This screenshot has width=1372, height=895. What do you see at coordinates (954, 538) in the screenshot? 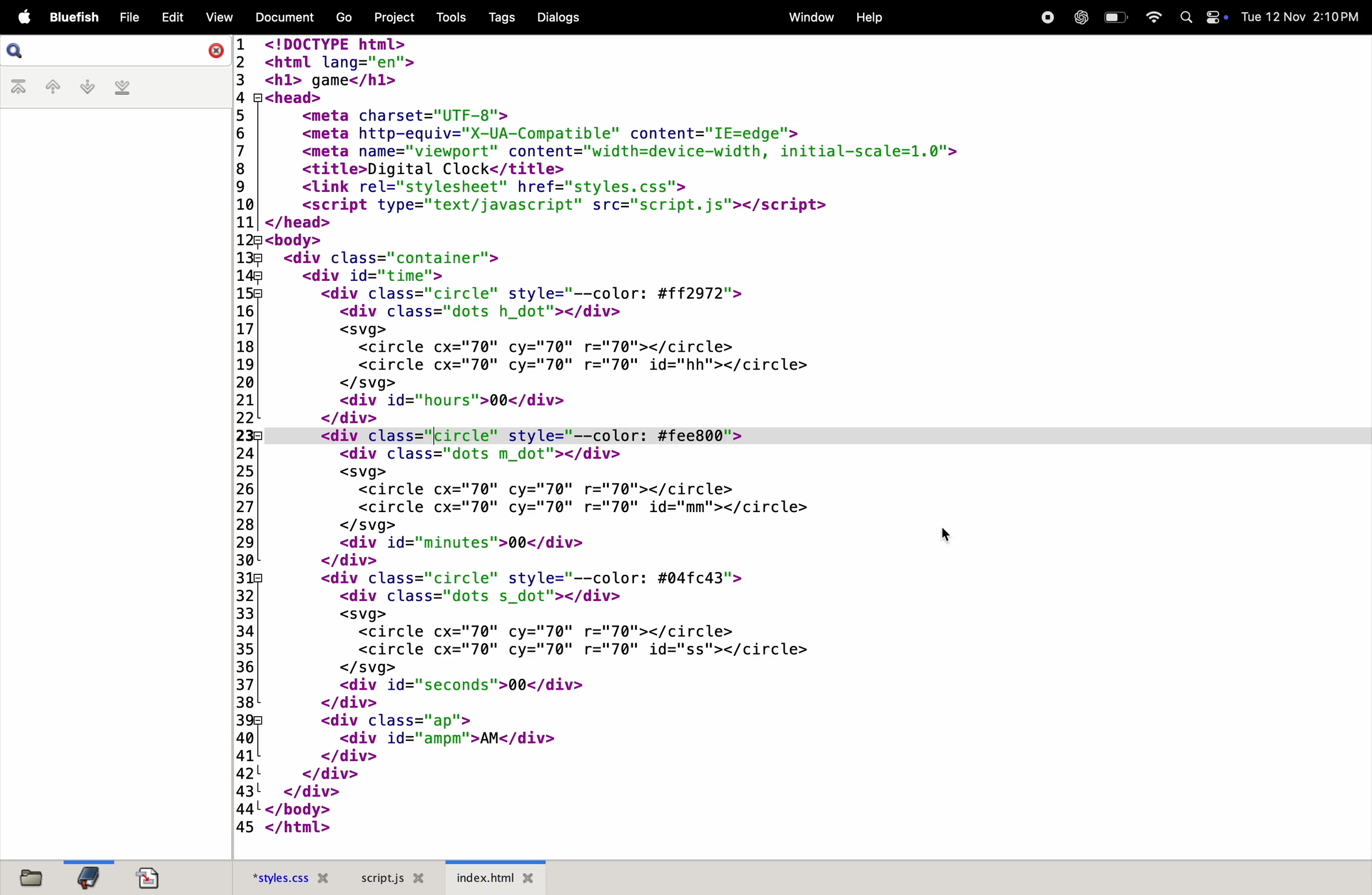
I see `cursor` at bounding box center [954, 538].